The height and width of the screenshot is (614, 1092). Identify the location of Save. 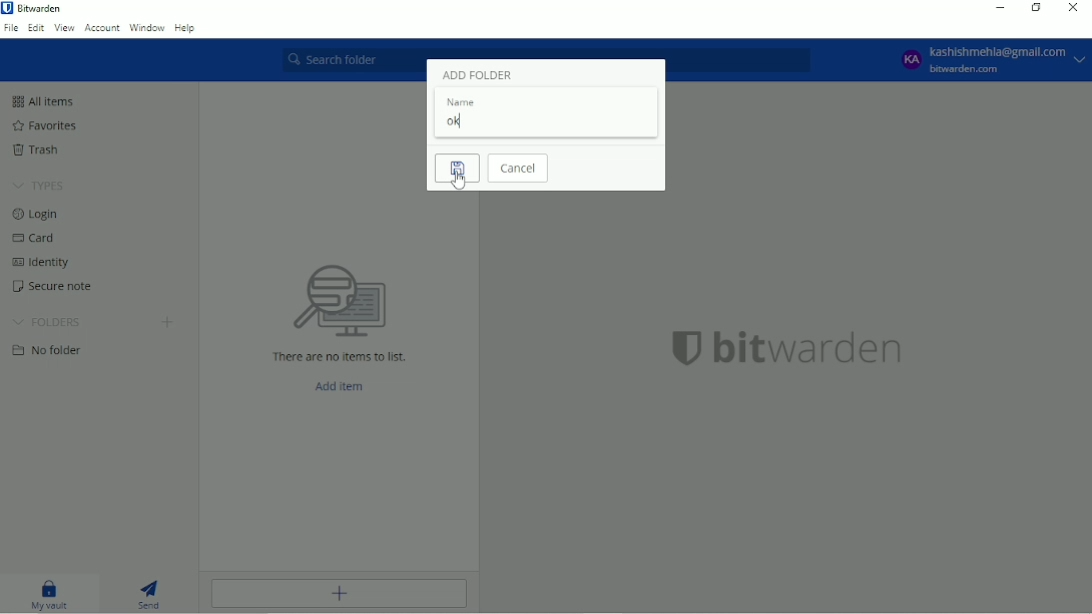
(456, 169).